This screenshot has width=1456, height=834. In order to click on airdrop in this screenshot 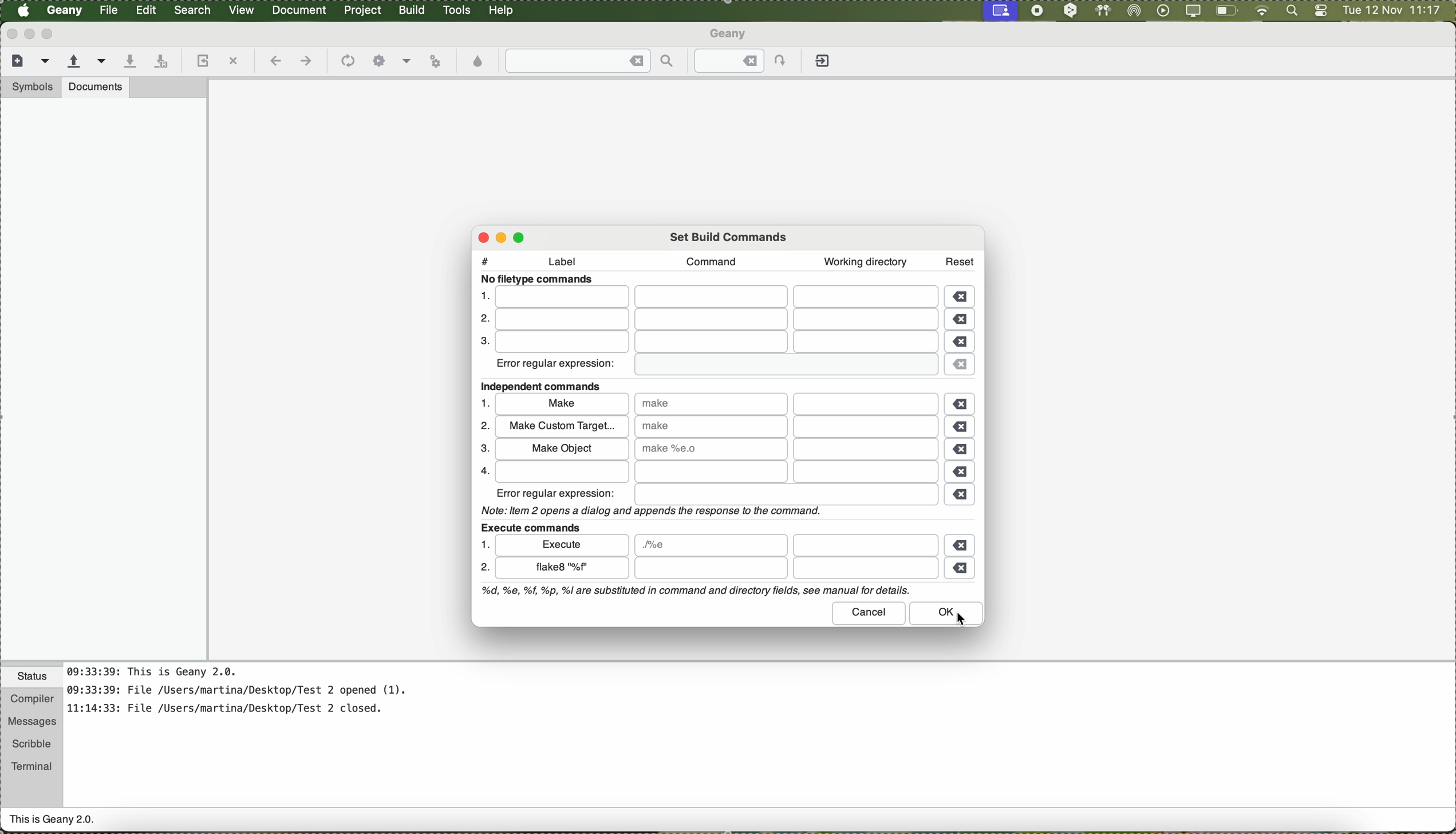, I will do `click(1134, 11)`.